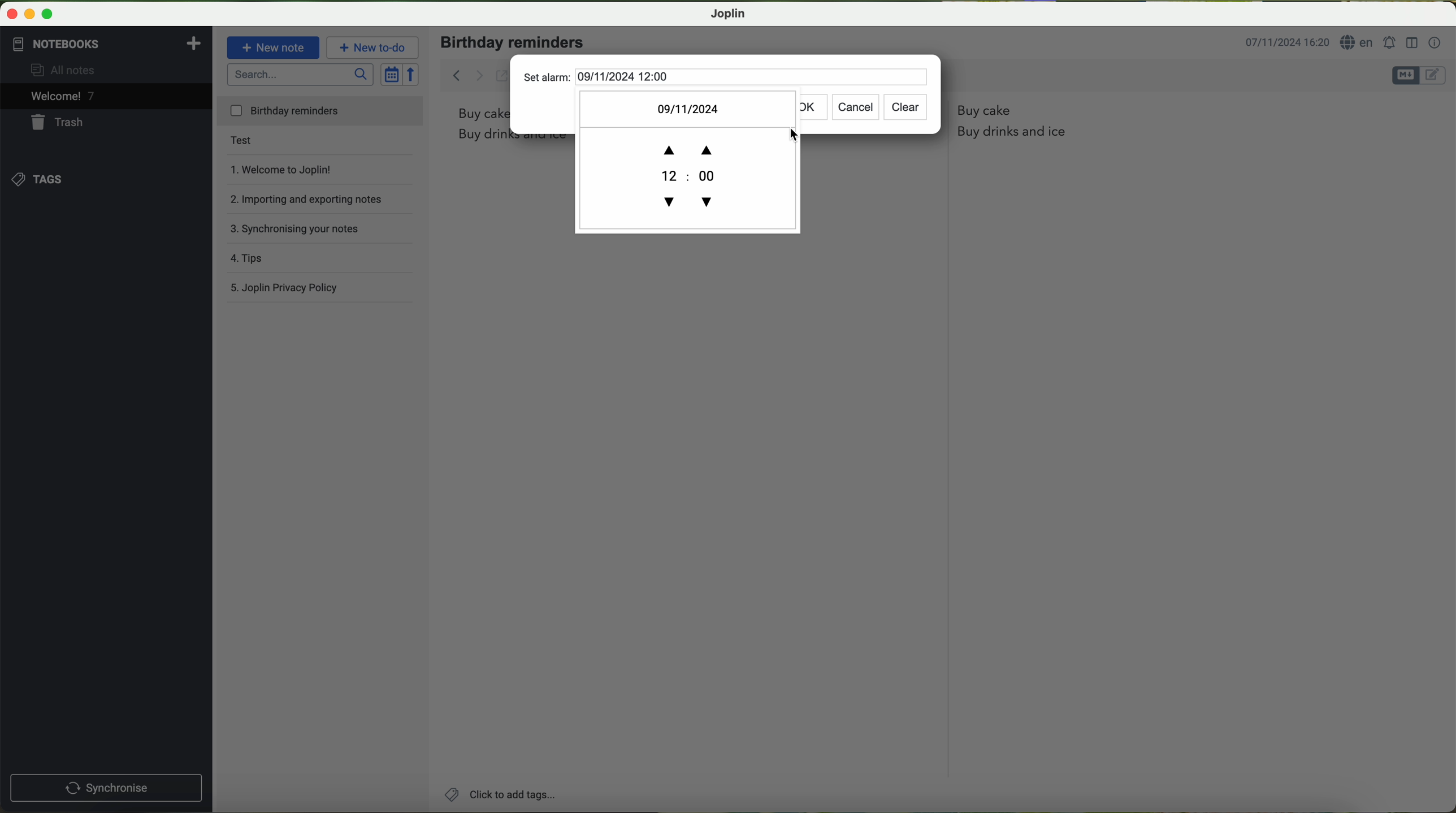 Image resolution: width=1456 pixels, height=813 pixels. Describe the element at coordinates (693, 200) in the screenshot. I see `decrease` at that location.